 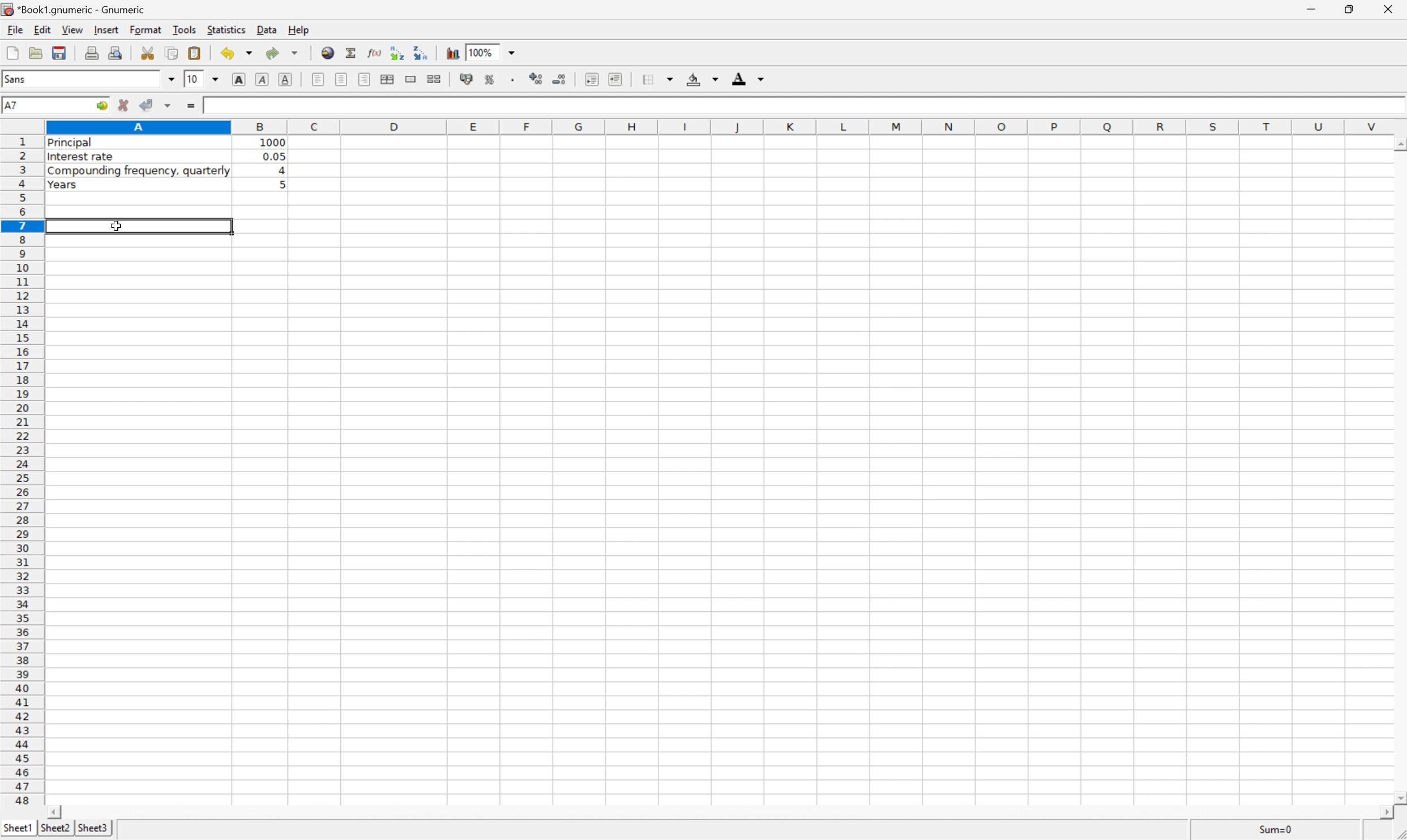 I want to click on center horizontally, so click(x=389, y=79).